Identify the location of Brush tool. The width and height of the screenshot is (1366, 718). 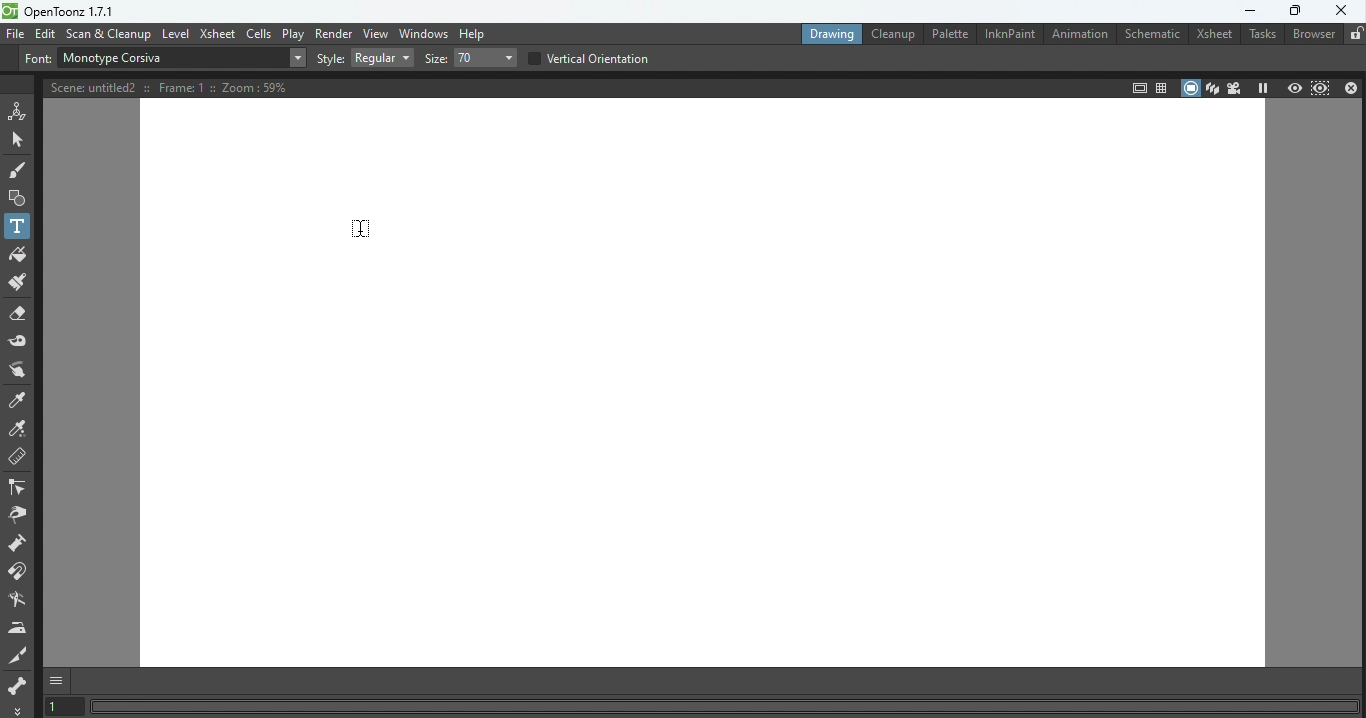
(20, 172).